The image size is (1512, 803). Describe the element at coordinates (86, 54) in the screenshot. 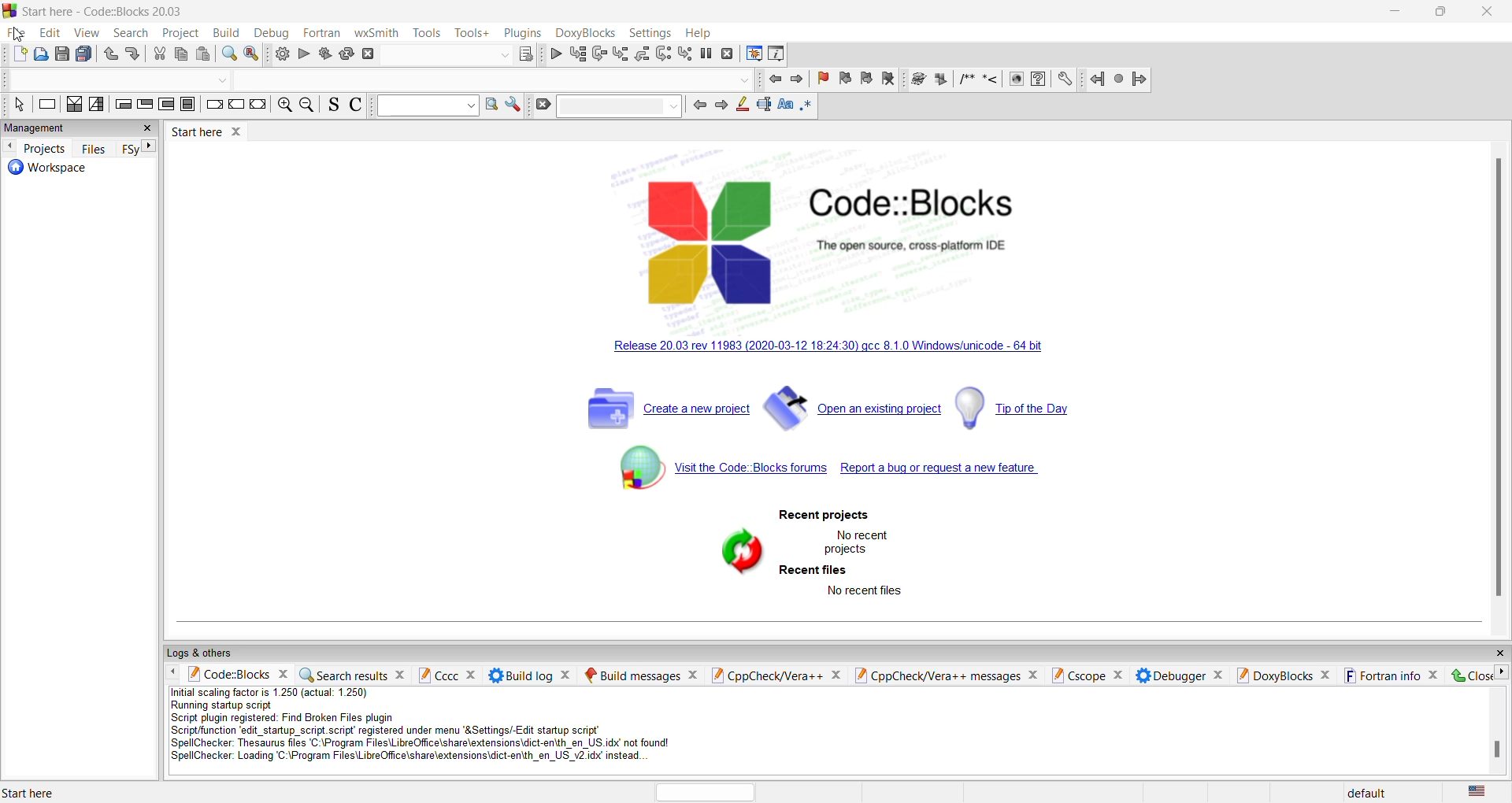

I see `save all` at that location.